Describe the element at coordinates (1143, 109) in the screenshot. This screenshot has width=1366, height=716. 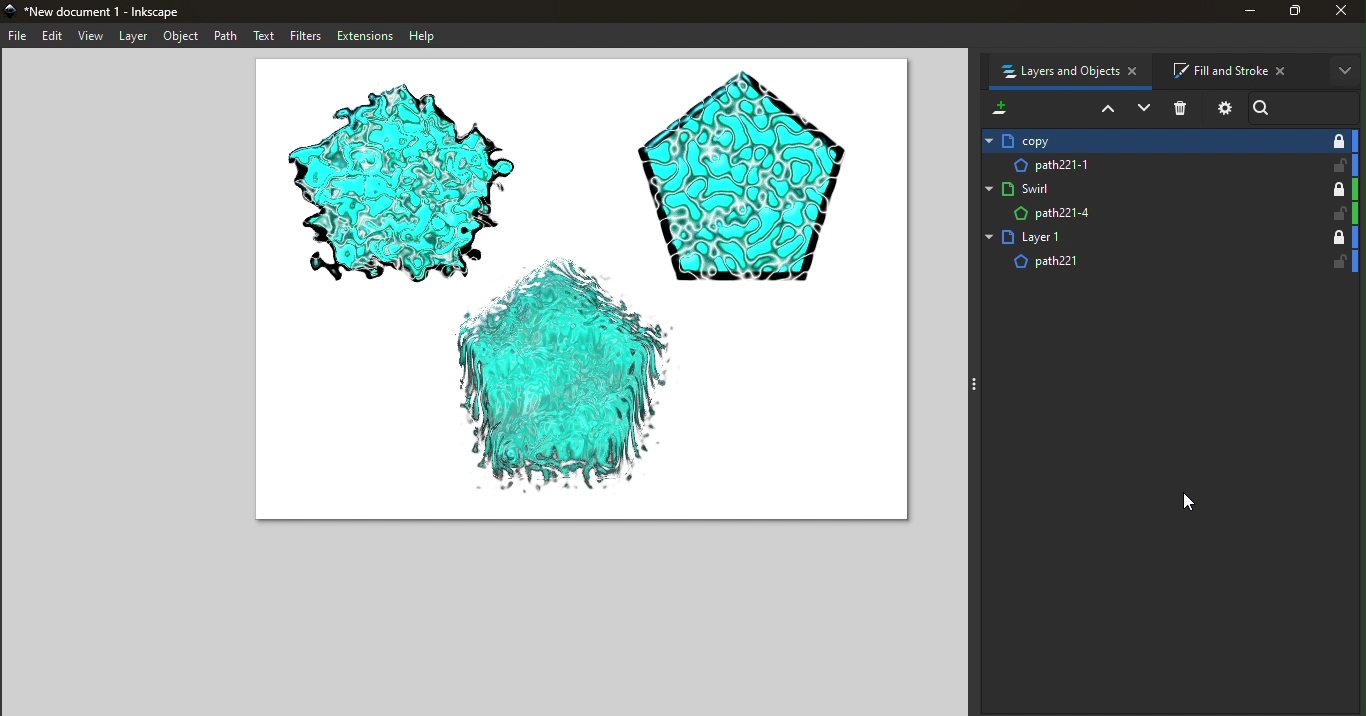
I see `Lower selection one step` at that location.